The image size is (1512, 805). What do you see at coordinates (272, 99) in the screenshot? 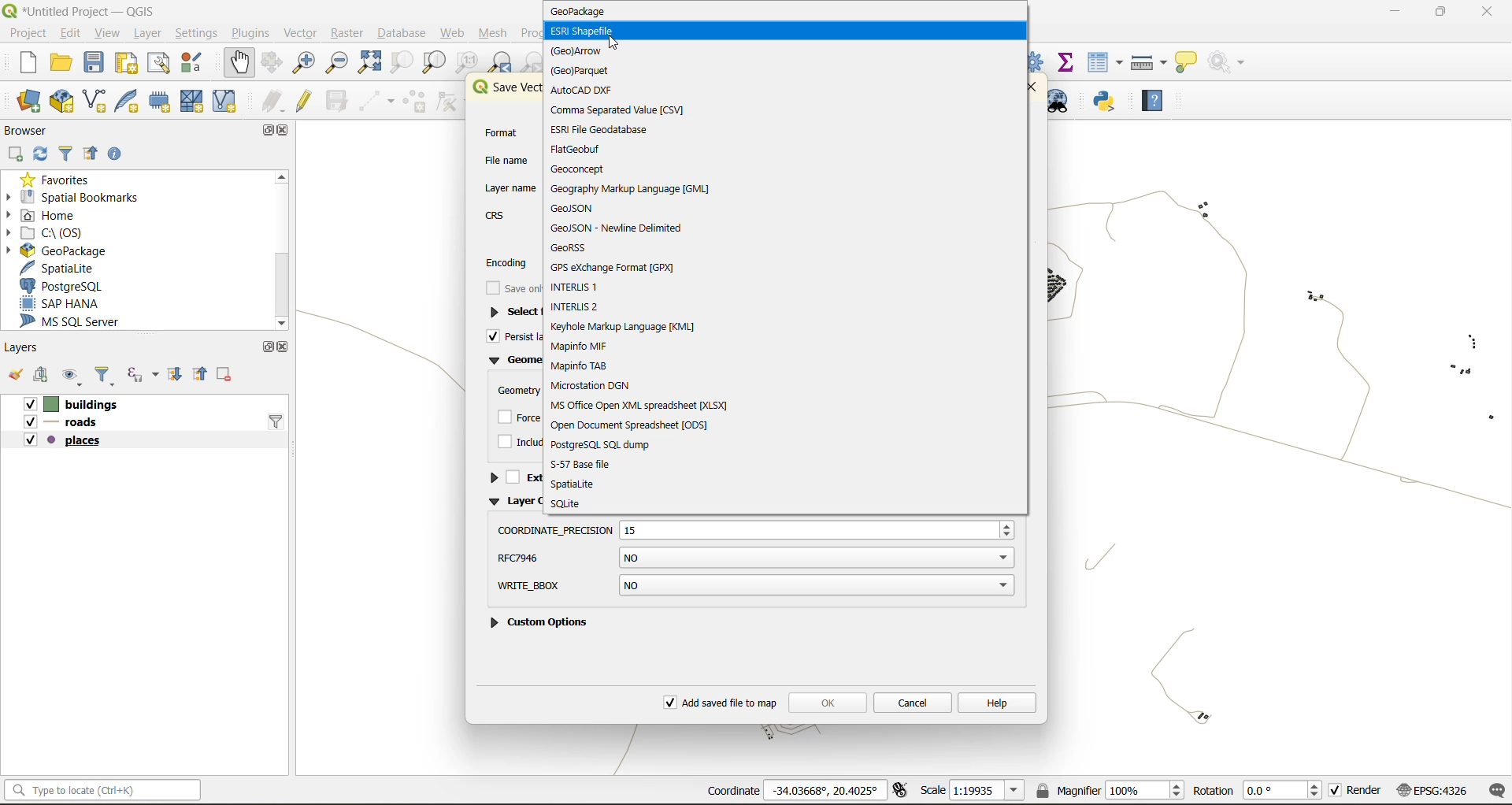
I see `edits` at bounding box center [272, 99].